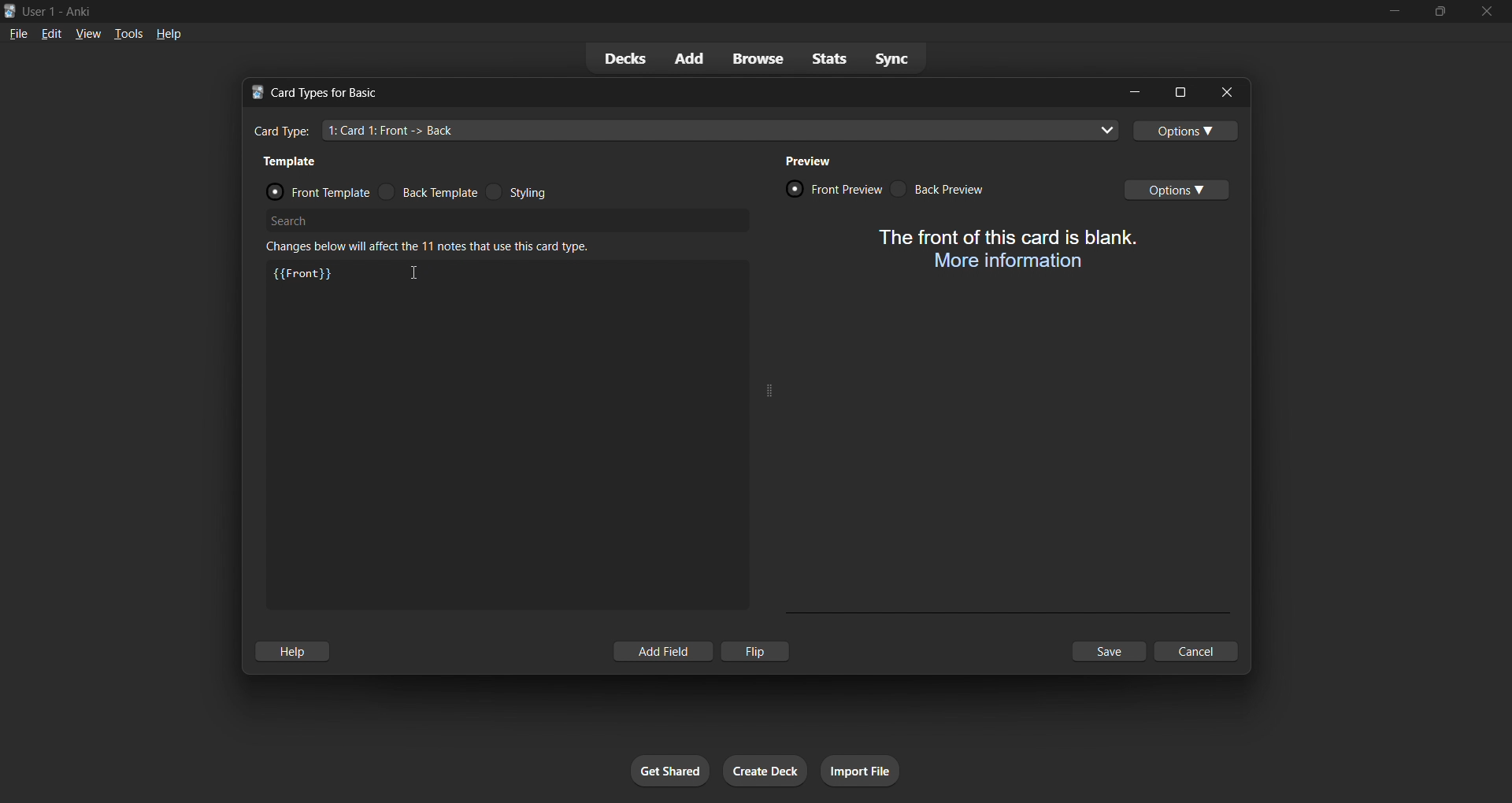 The image size is (1512, 803). What do you see at coordinates (807, 160) in the screenshot?
I see `preview` at bounding box center [807, 160].